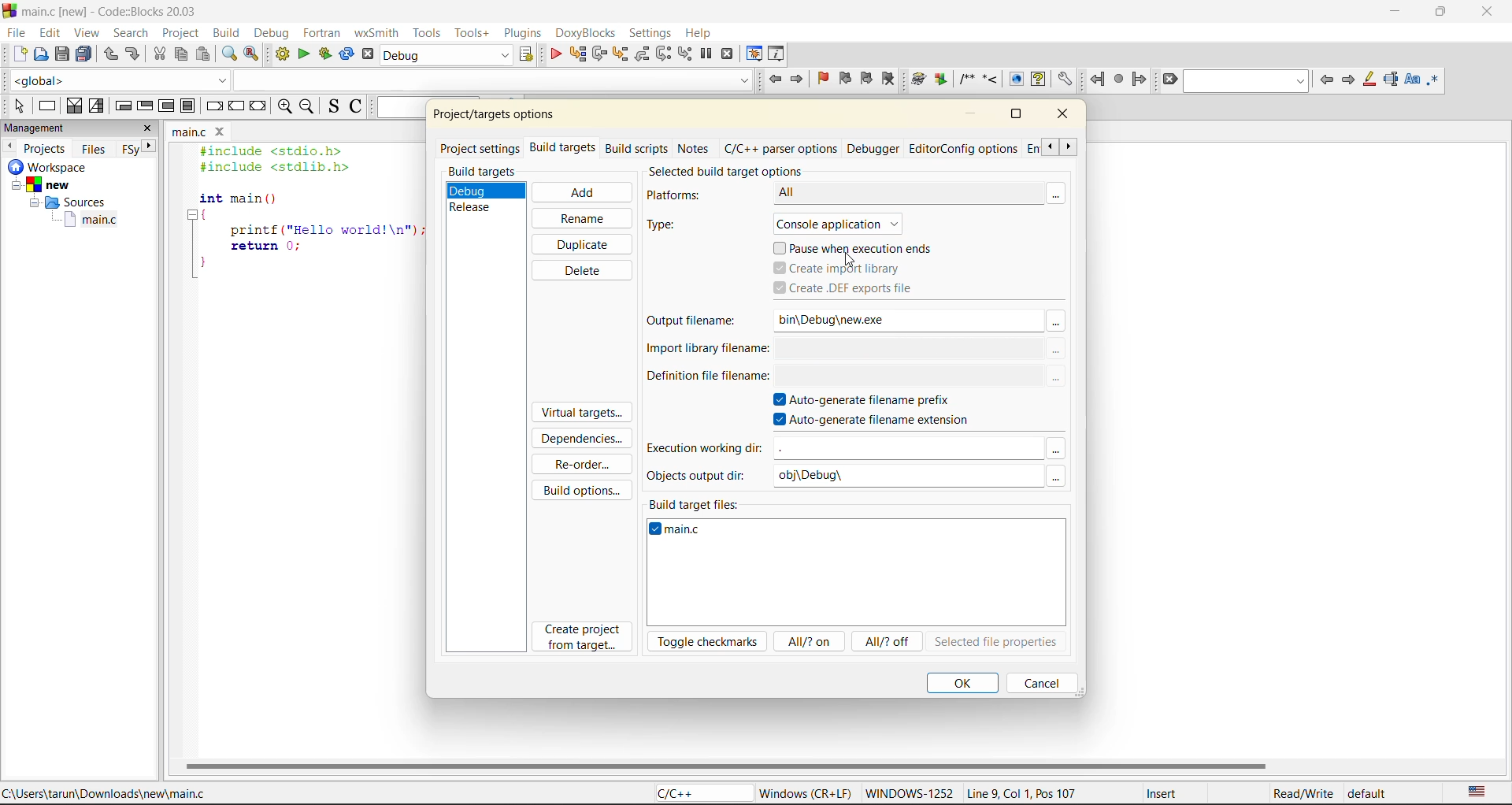 The width and height of the screenshot is (1512, 805). What do you see at coordinates (861, 289) in the screenshot?
I see `create .def exports file` at bounding box center [861, 289].